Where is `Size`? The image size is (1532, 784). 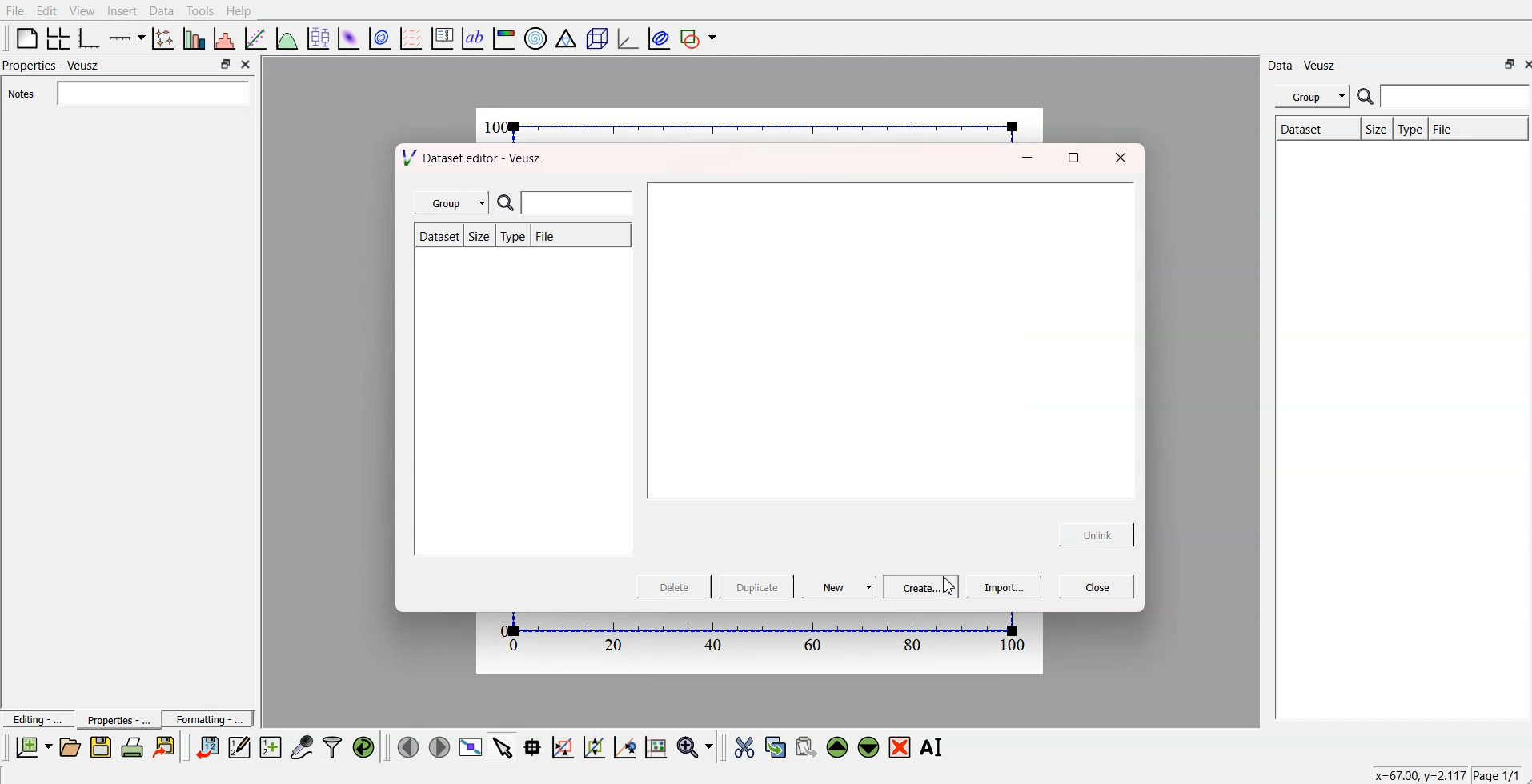
Size is located at coordinates (480, 237).